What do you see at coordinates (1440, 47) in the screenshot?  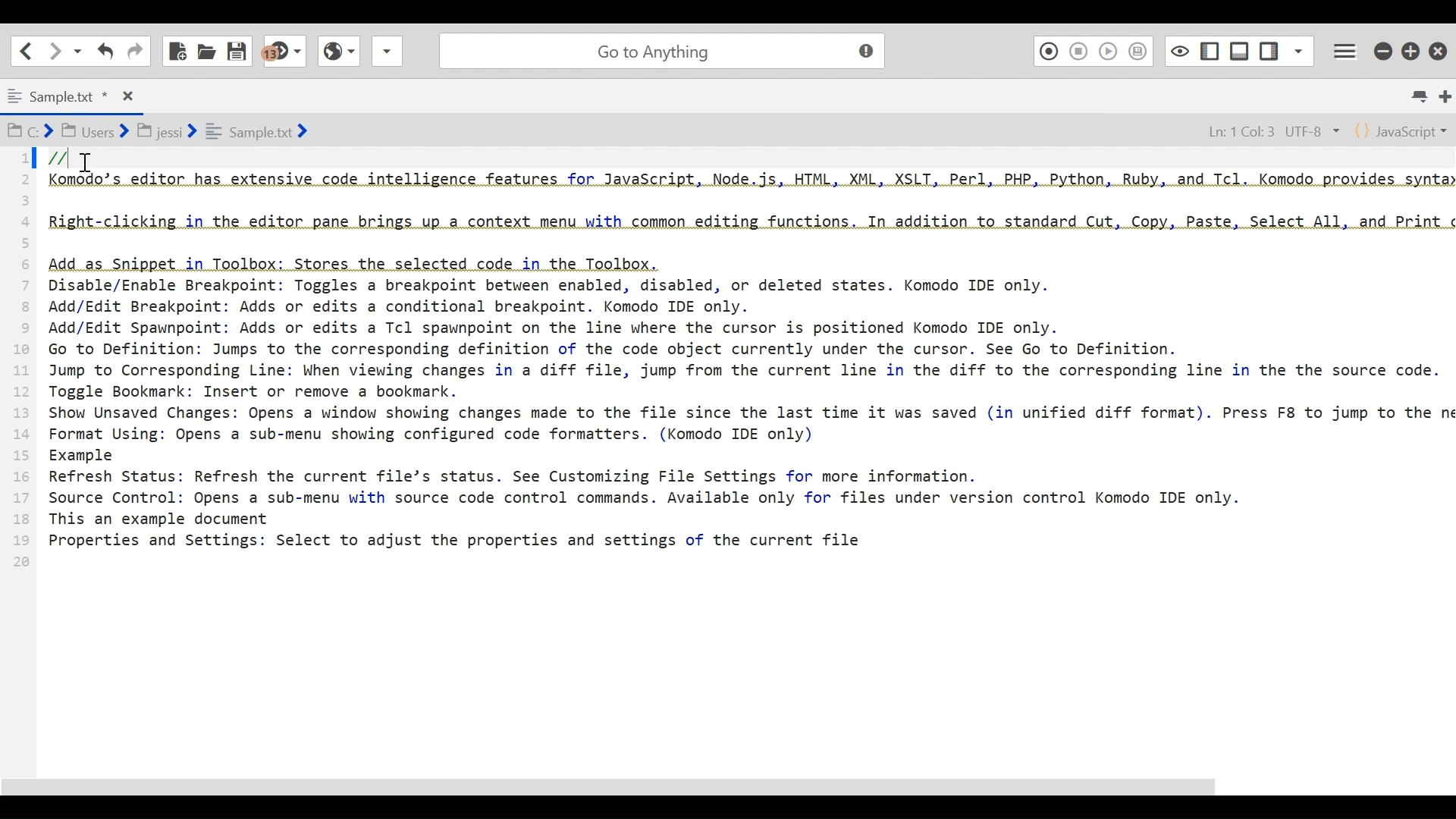 I see `Close` at bounding box center [1440, 47].